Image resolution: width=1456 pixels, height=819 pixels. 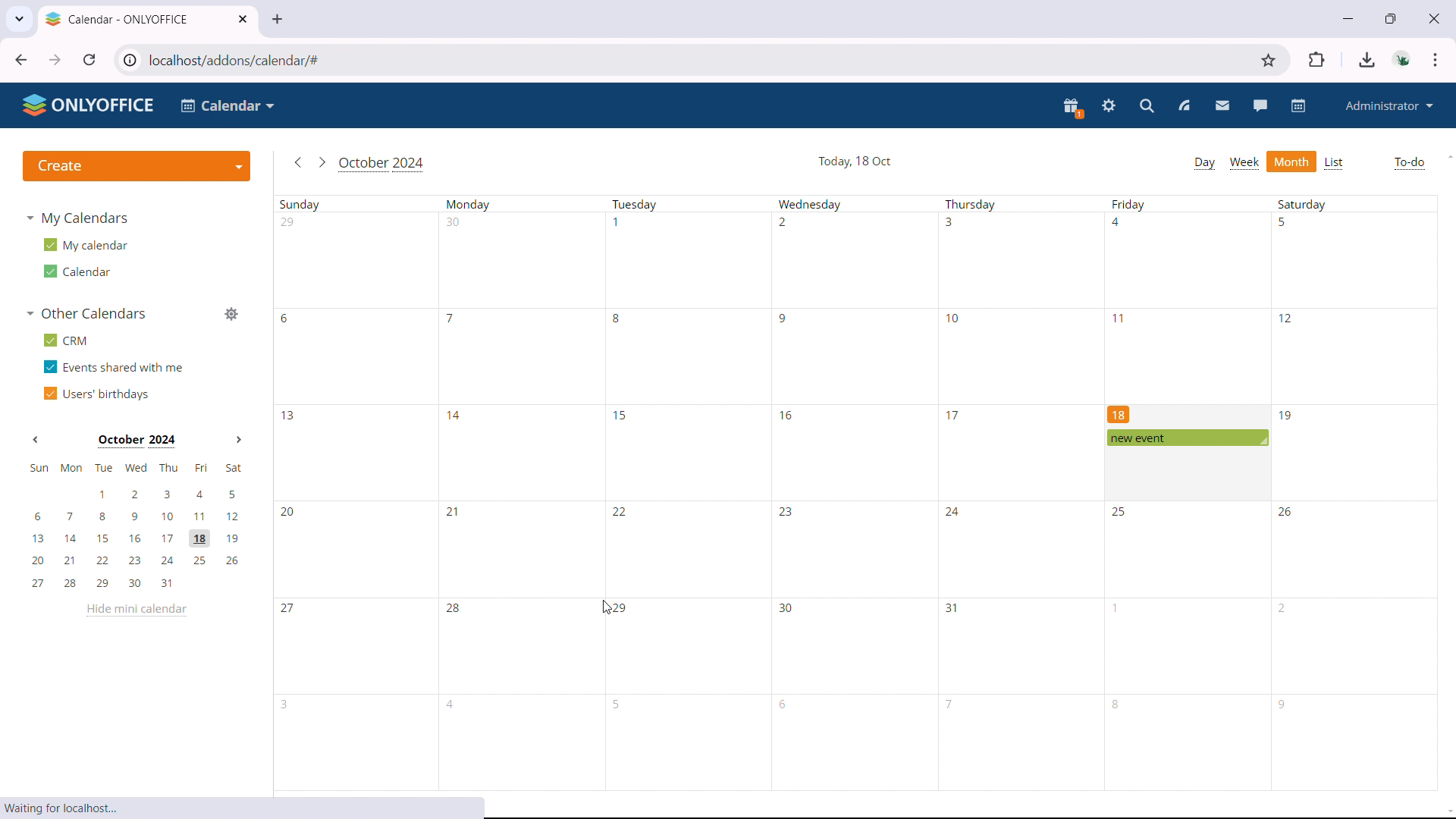 I want to click on 22, so click(x=620, y=512).